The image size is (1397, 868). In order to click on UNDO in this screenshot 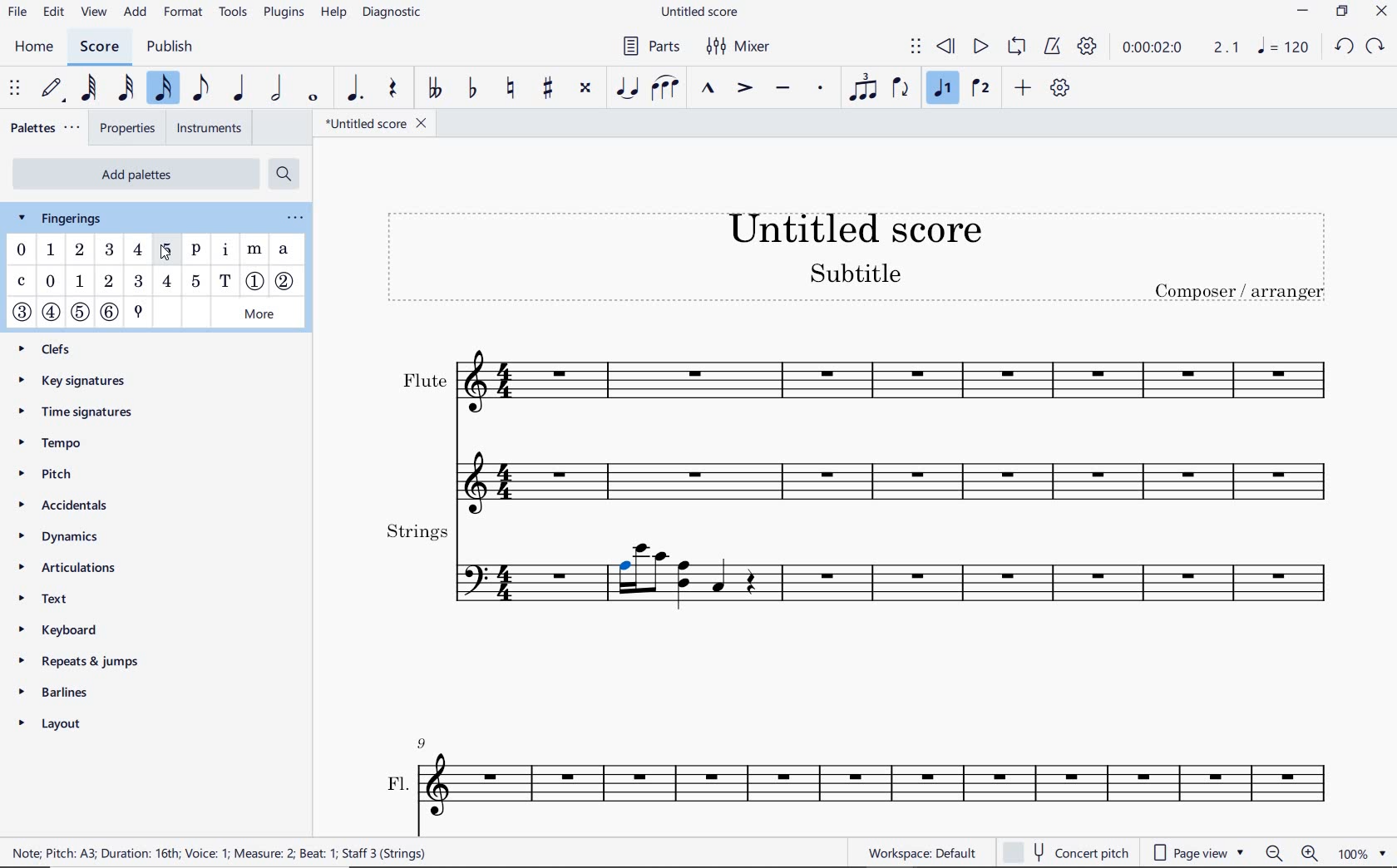, I will do `click(1344, 46)`.